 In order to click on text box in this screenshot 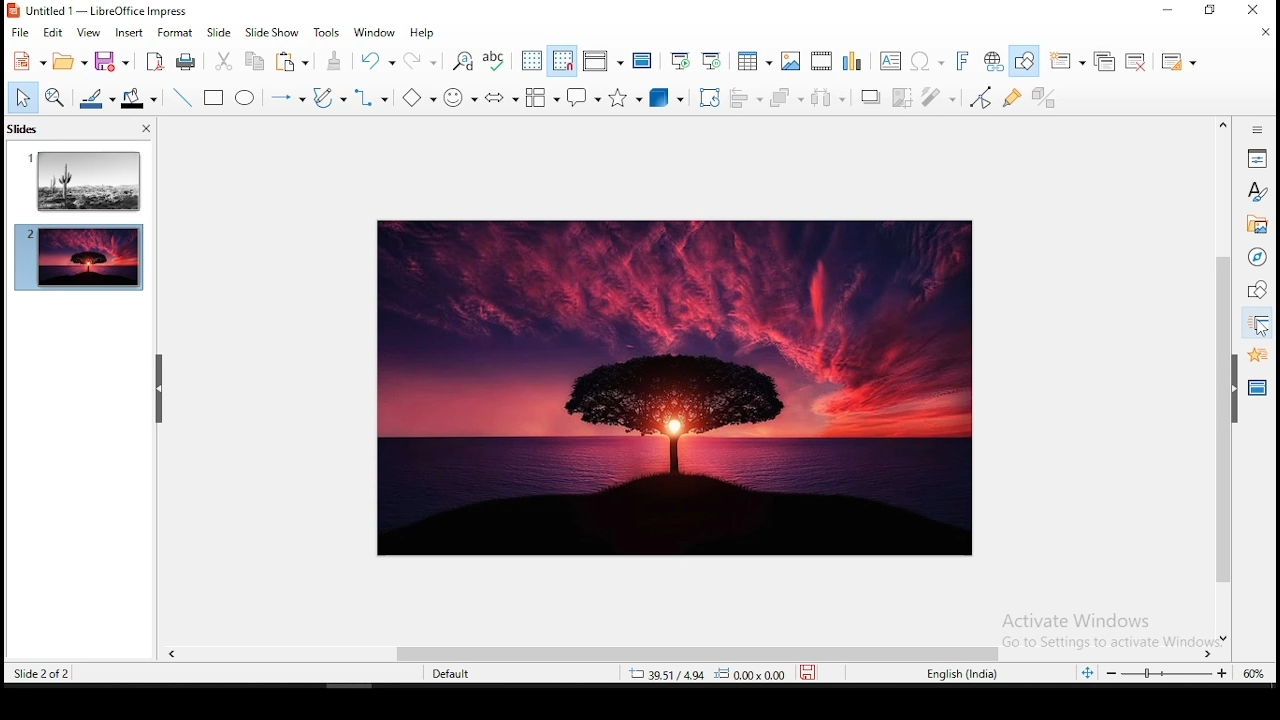, I will do `click(890, 61)`.